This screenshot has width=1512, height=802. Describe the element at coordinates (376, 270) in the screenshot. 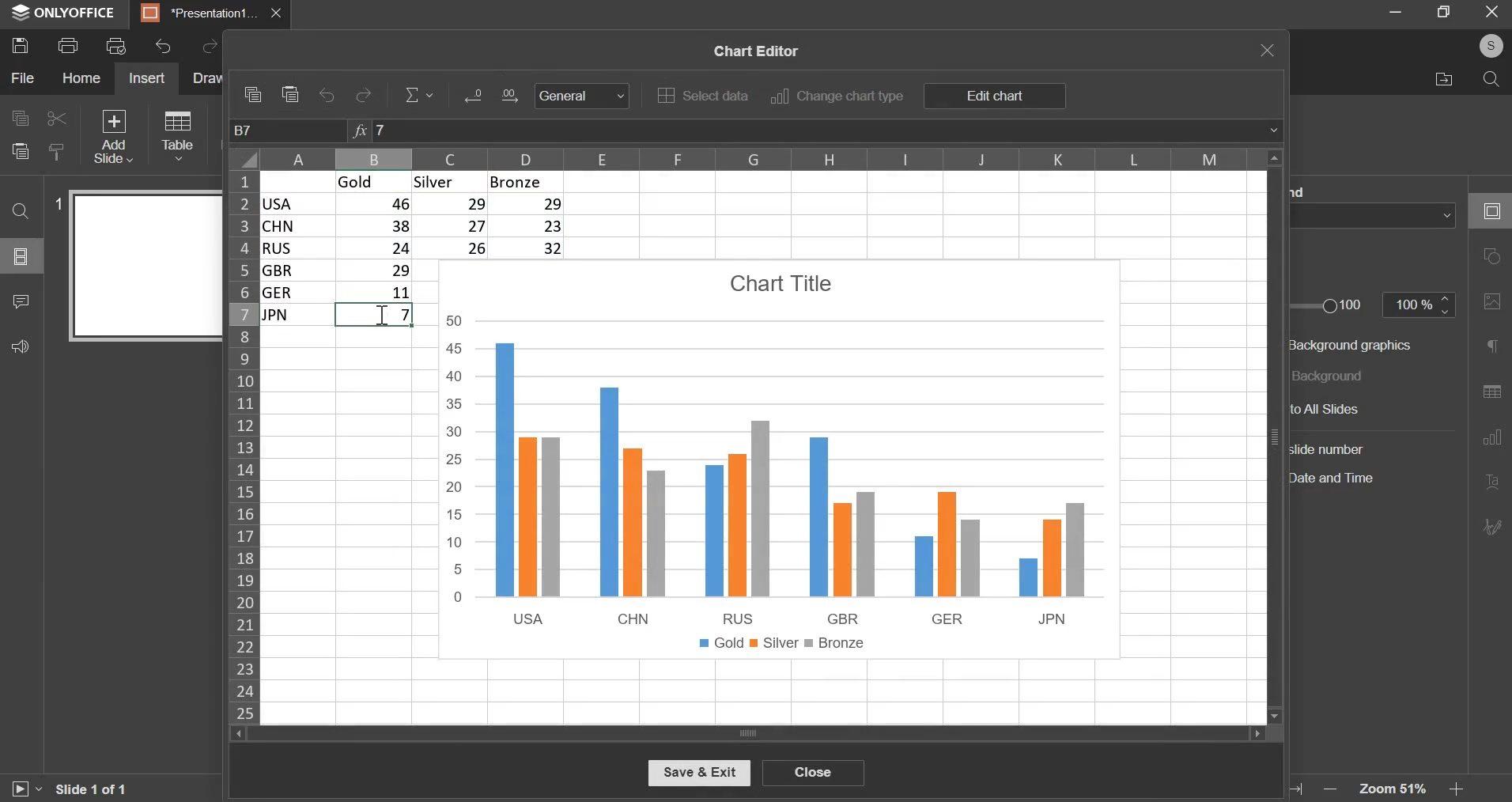

I see `| 29` at that location.